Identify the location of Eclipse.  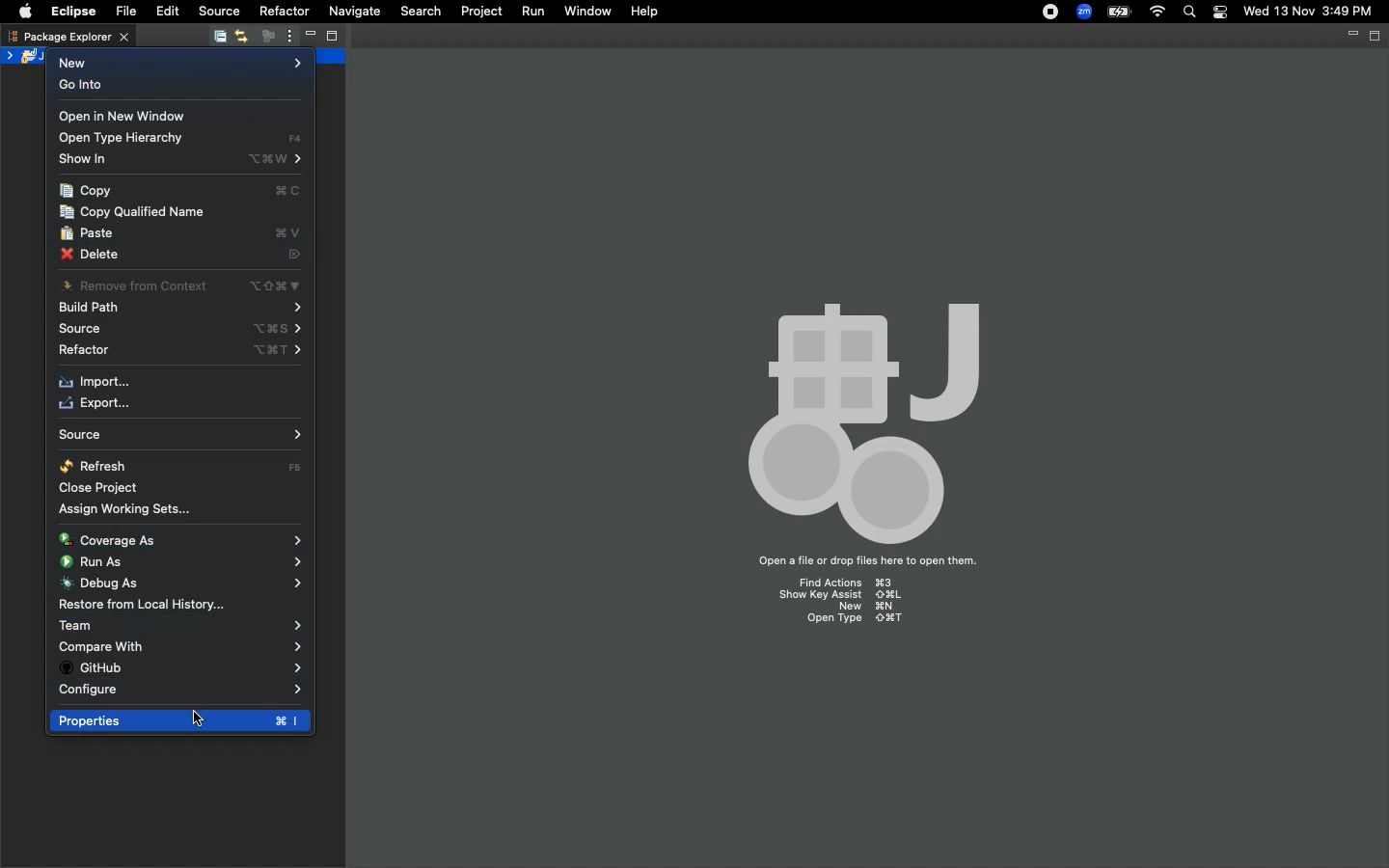
(69, 12).